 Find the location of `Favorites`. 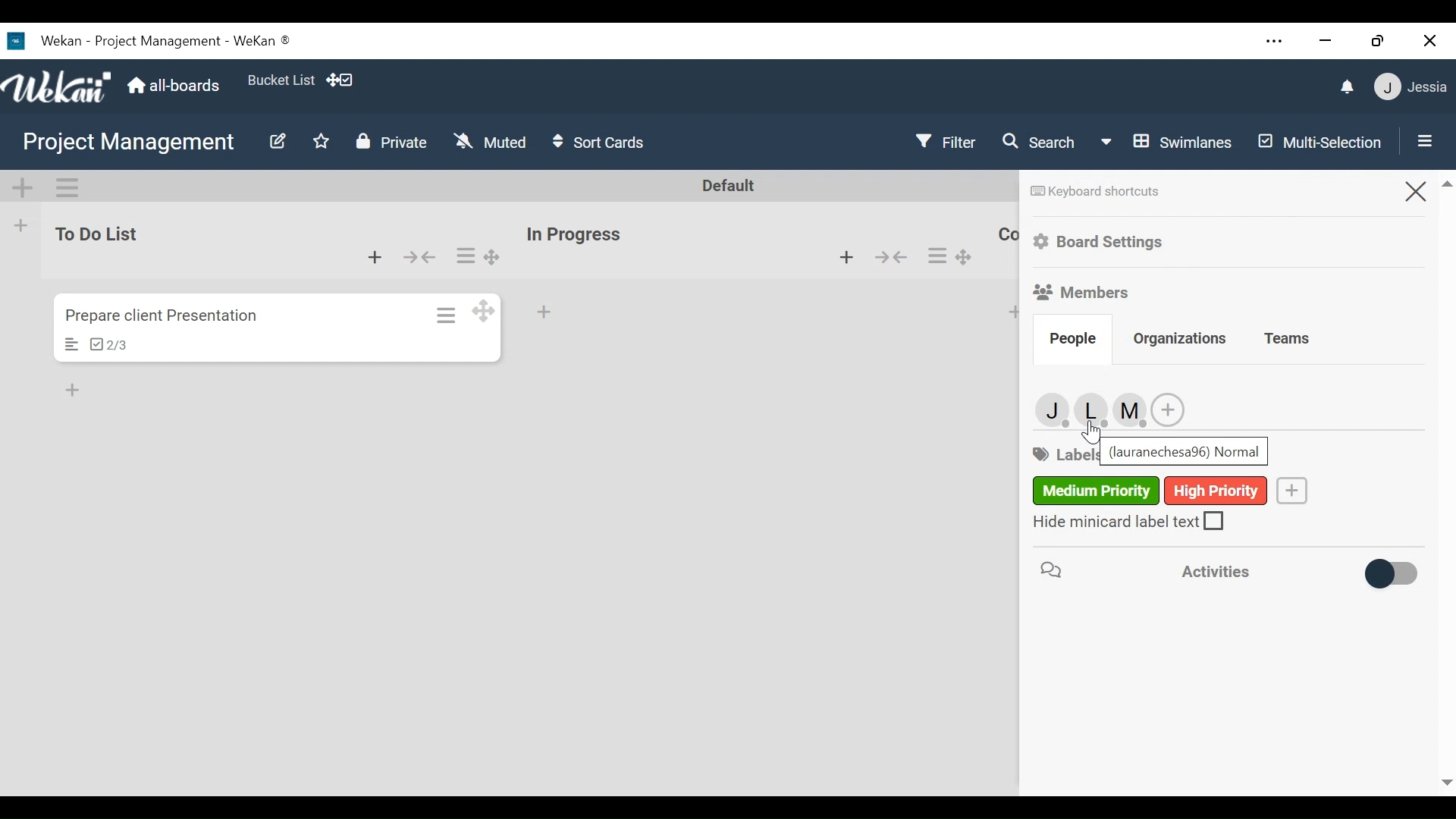

Favorites is located at coordinates (319, 142).